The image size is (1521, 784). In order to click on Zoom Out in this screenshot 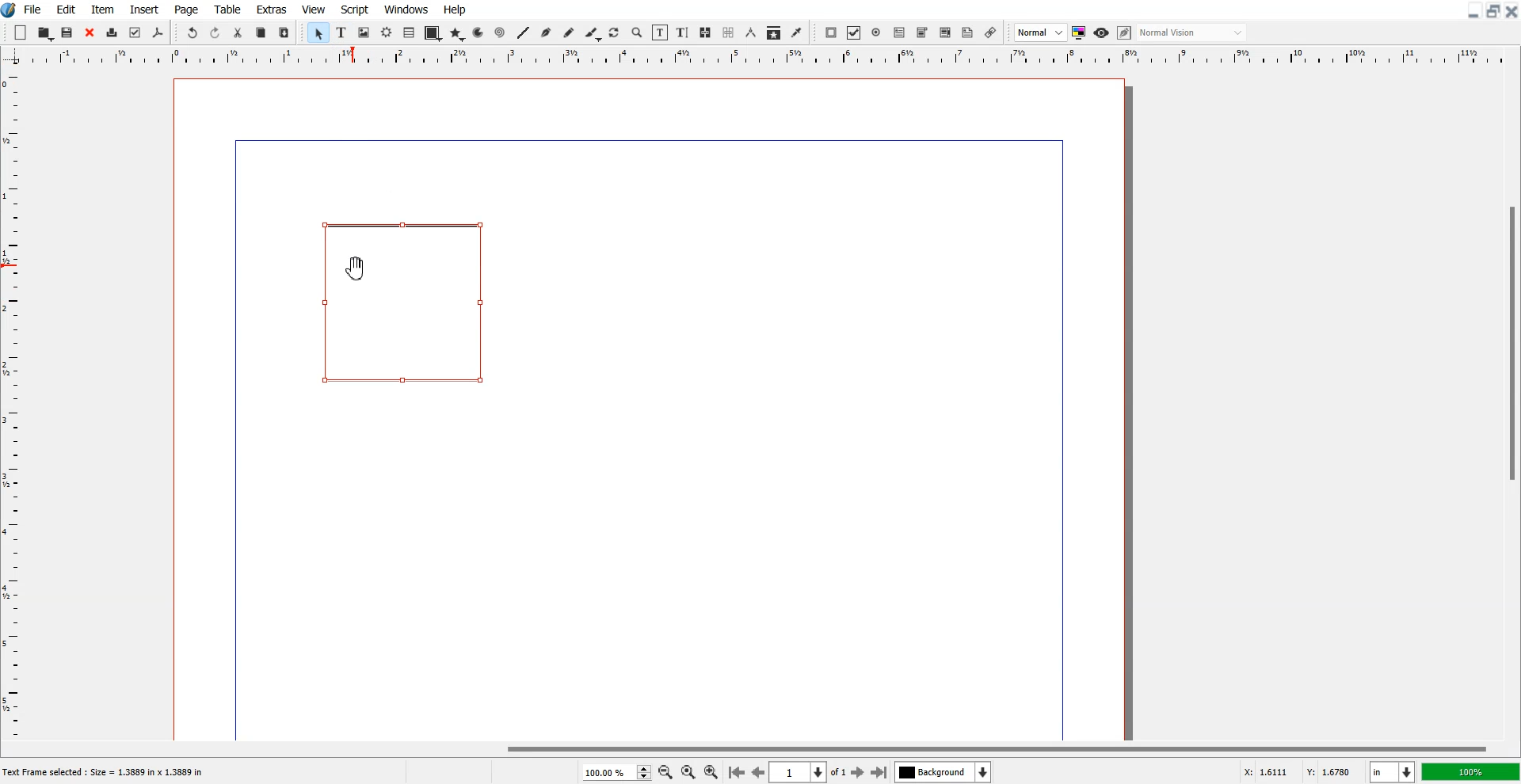, I will do `click(666, 773)`.